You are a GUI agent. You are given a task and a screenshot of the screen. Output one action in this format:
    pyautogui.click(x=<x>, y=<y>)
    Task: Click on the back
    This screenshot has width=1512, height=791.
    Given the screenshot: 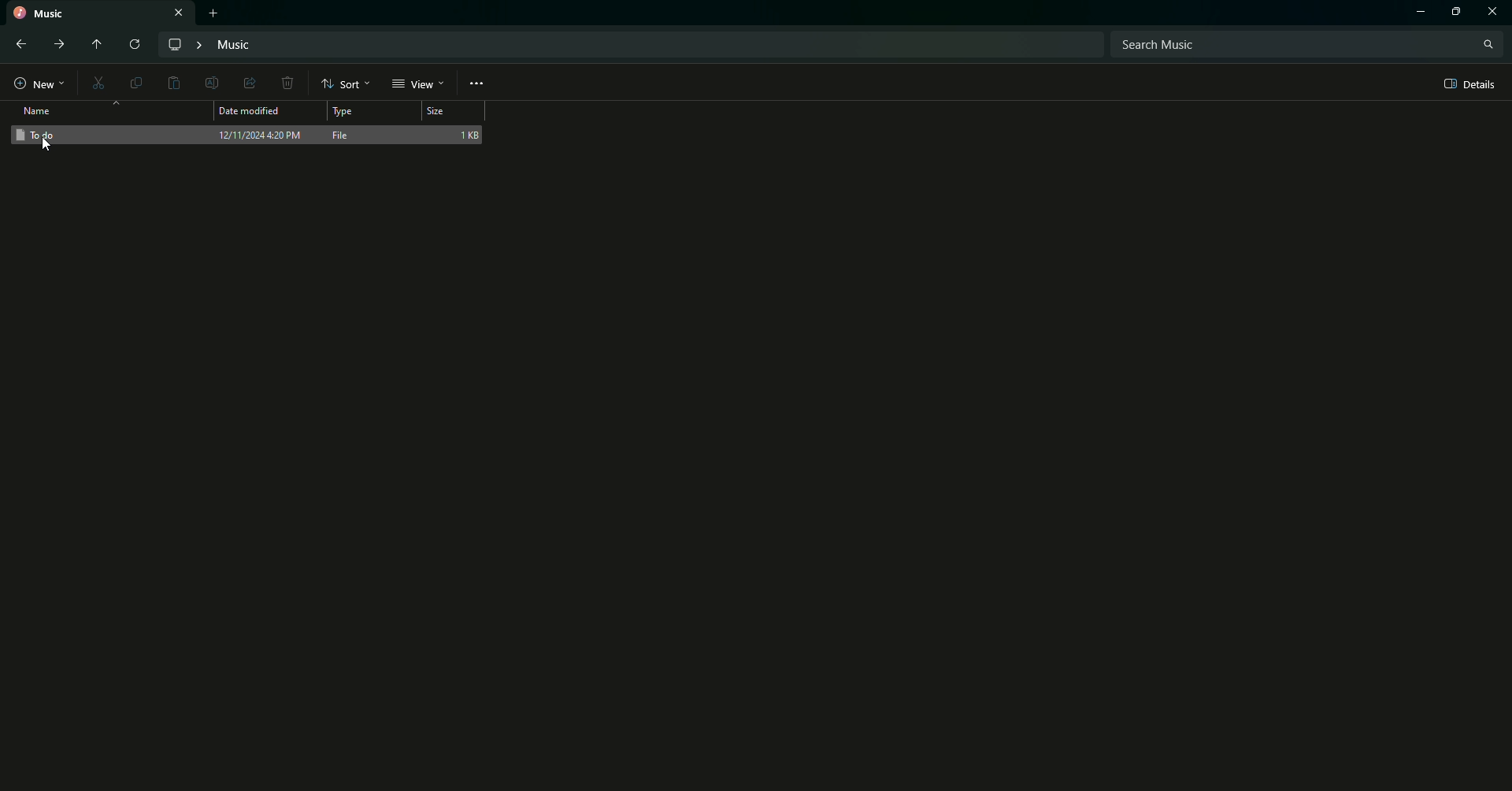 What is the action you would take?
    pyautogui.click(x=21, y=46)
    